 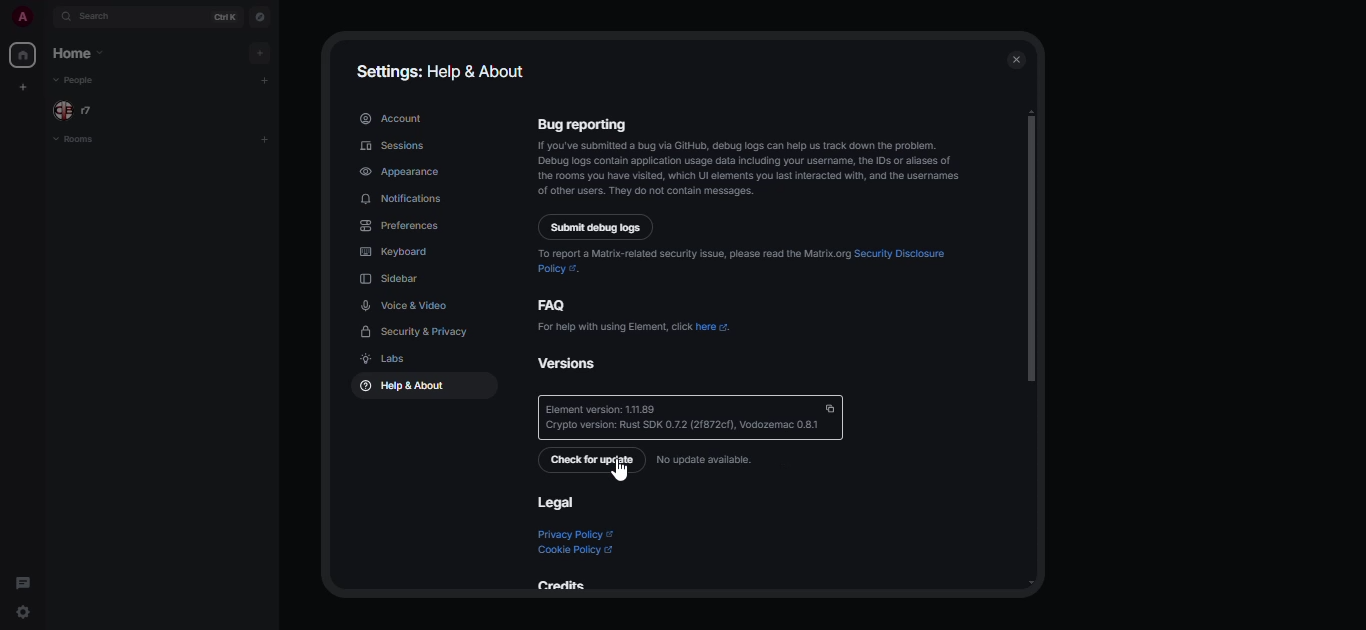 What do you see at coordinates (381, 359) in the screenshot?
I see `labs` at bounding box center [381, 359].